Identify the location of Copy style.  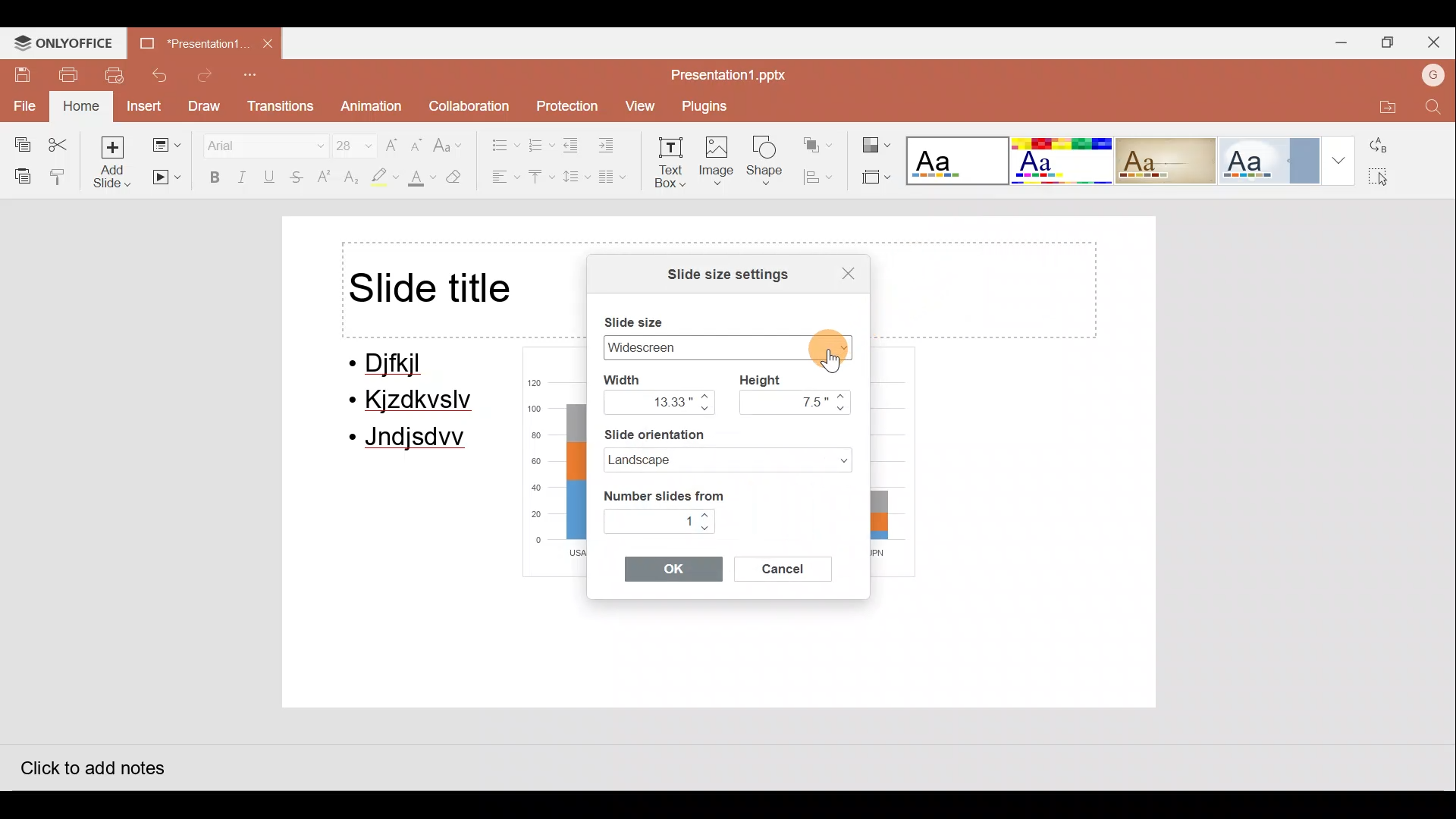
(59, 176).